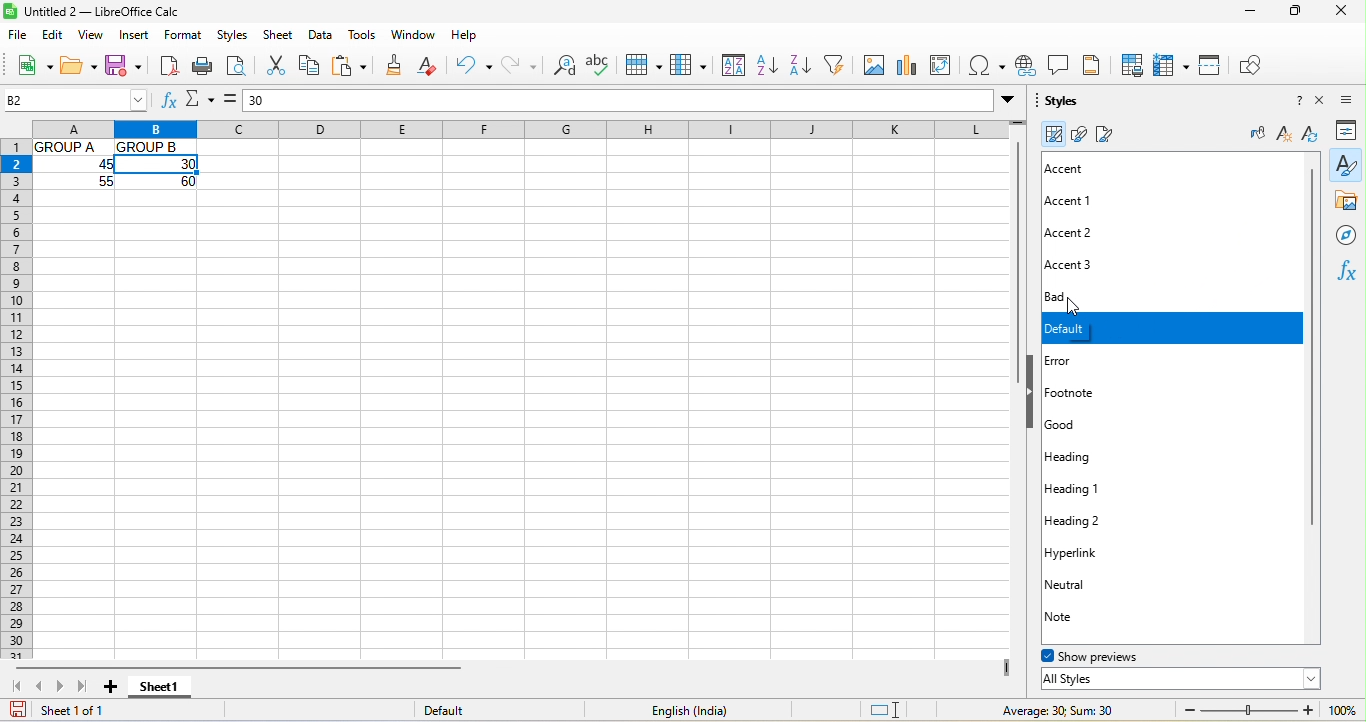 Image resolution: width=1366 pixels, height=722 pixels. Describe the element at coordinates (1347, 235) in the screenshot. I see `navigators` at that location.